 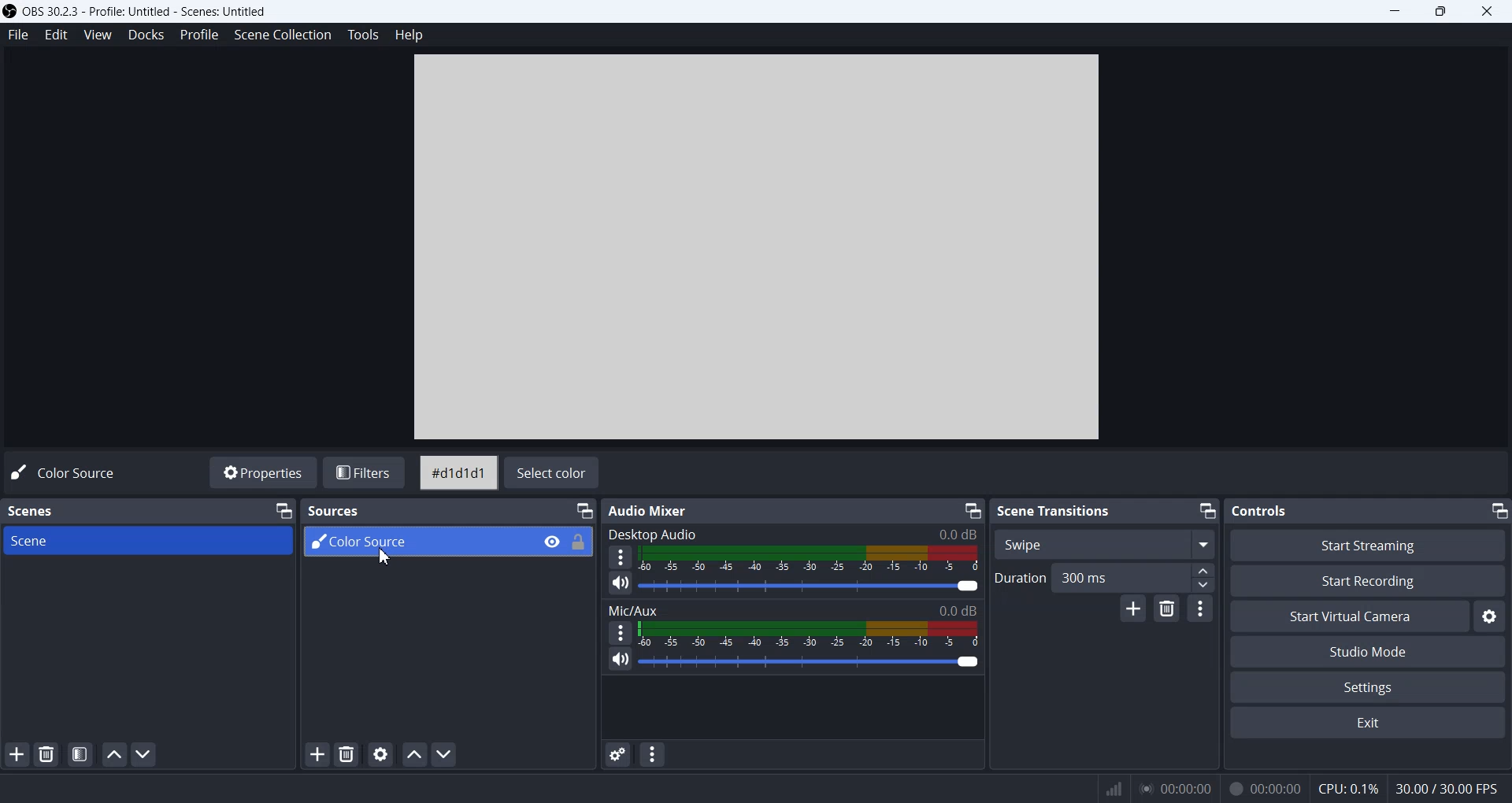 What do you see at coordinates (1443, 12) in the screenshot?
I see `Maximize` at bounding box center [1443, 12].